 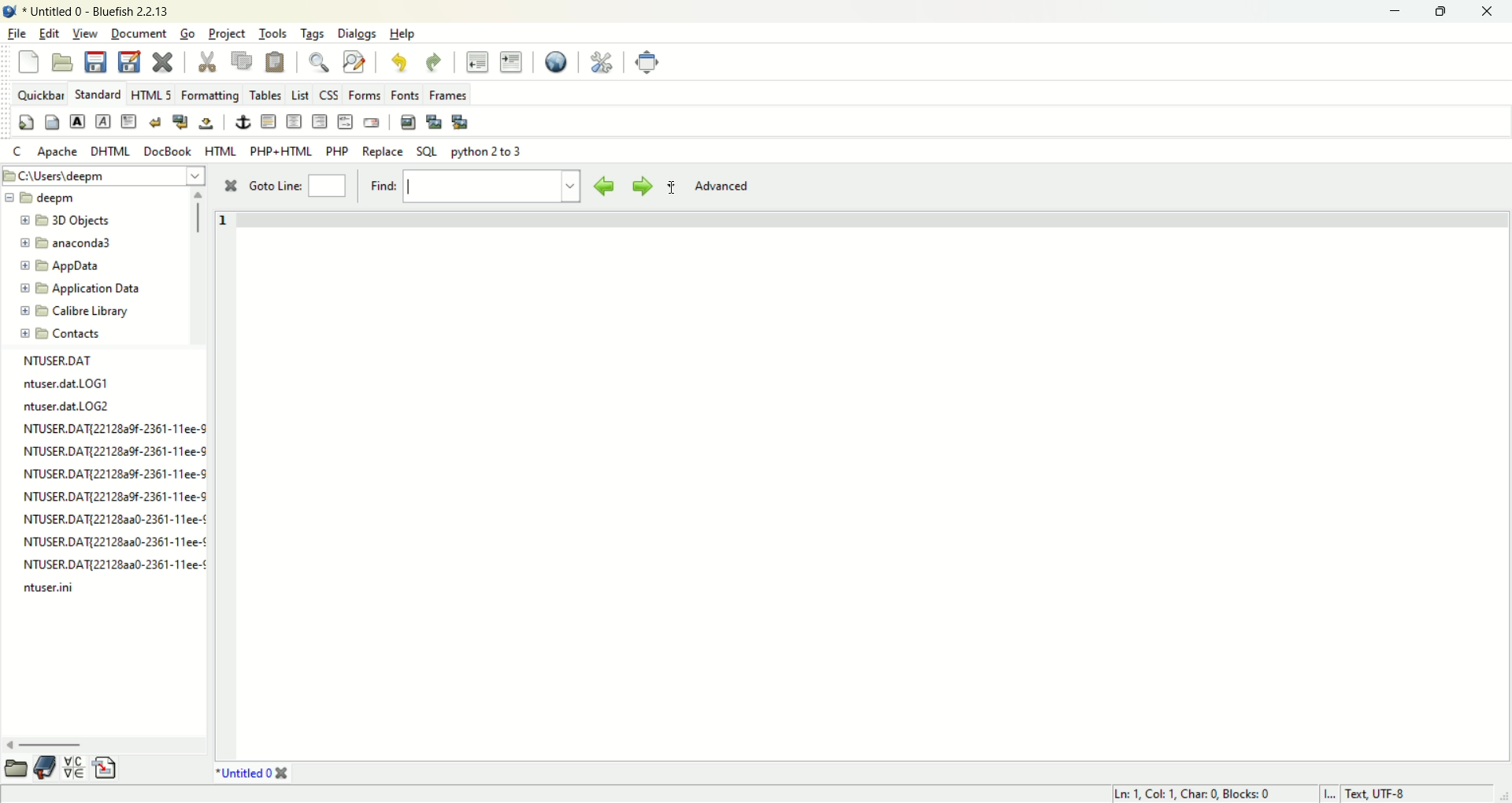 What do you see at coordinates (447, 94) in the screenshot?
I see `frames` at bounding box center [447, 94].